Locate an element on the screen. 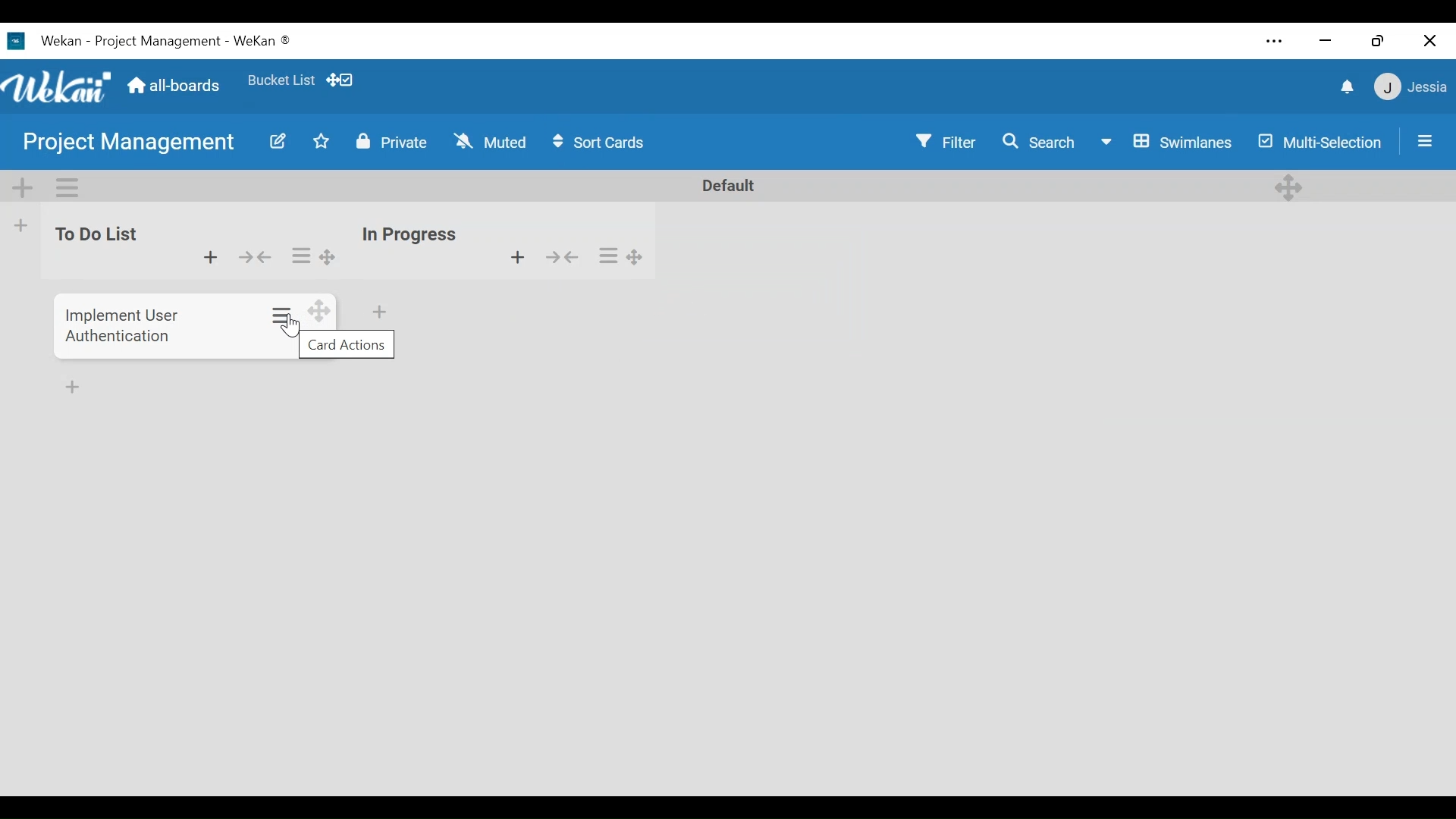 The image size is (1456, 819). card actions is located at coordinates (347, 346).